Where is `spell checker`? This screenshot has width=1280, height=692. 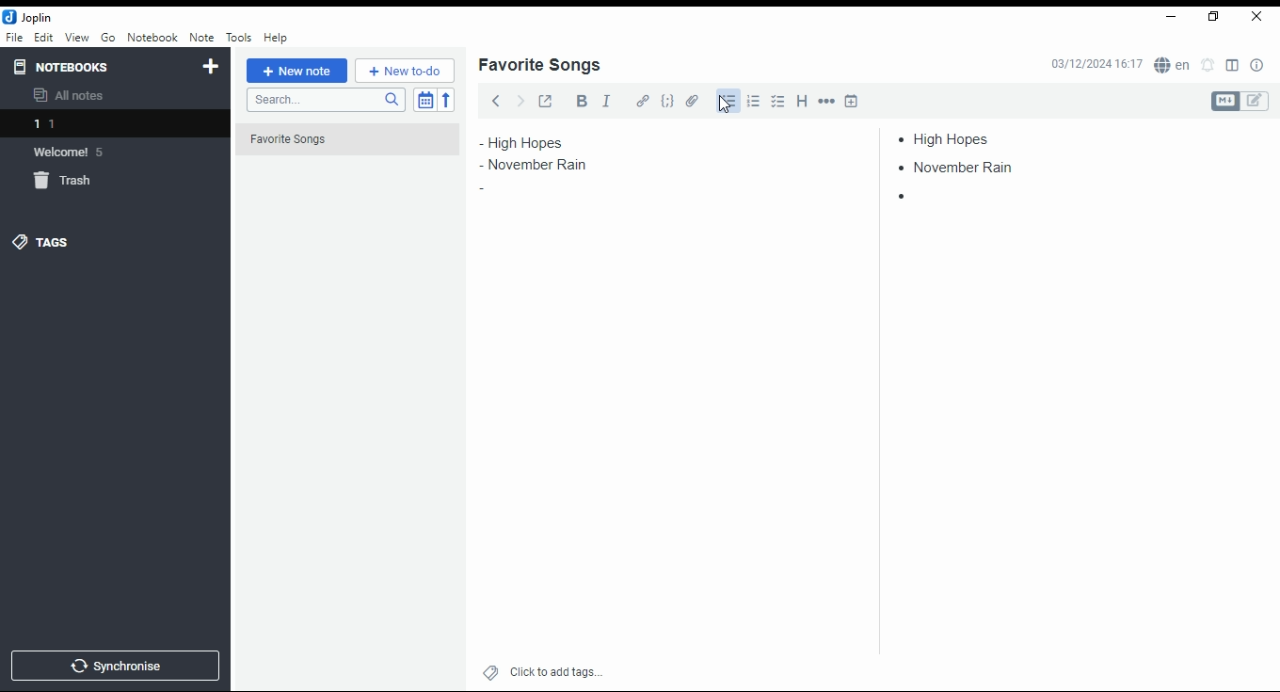
spell checker is located at coordinates (1174, 64).